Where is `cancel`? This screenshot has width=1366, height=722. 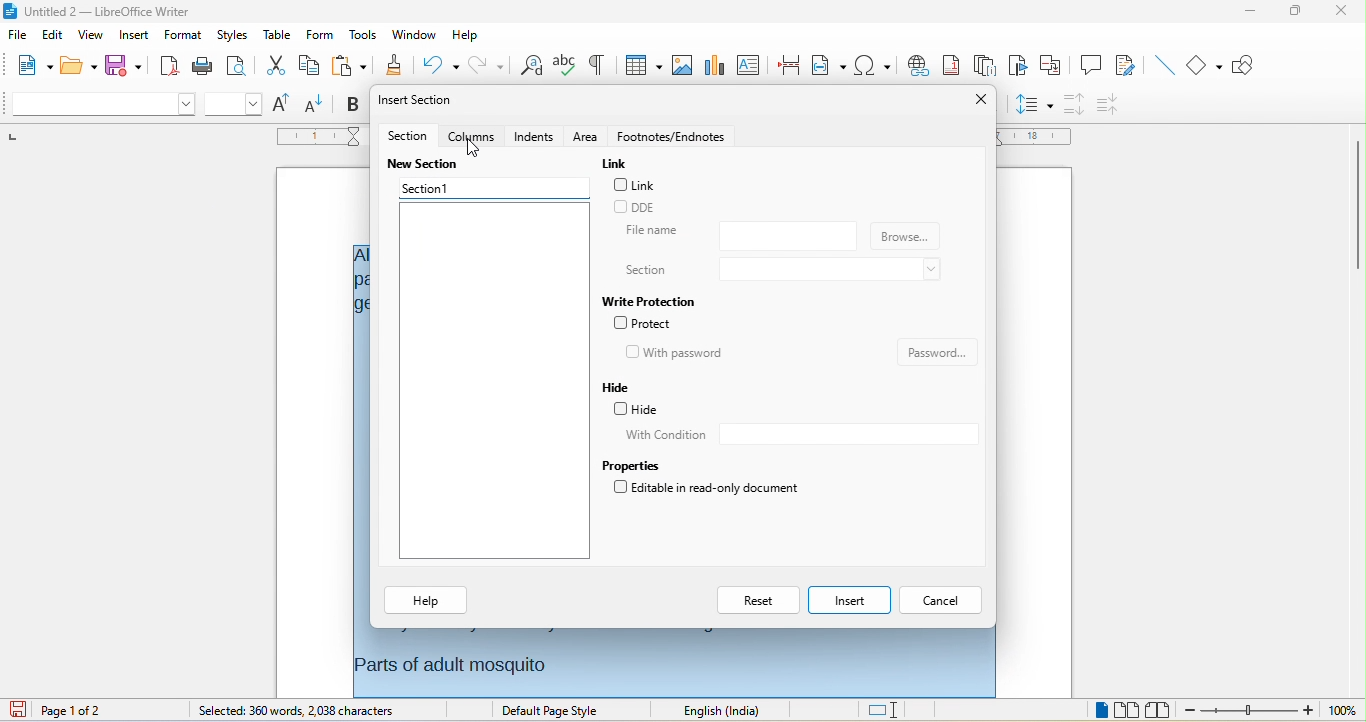
cancel is located at coordinates (944, 600).